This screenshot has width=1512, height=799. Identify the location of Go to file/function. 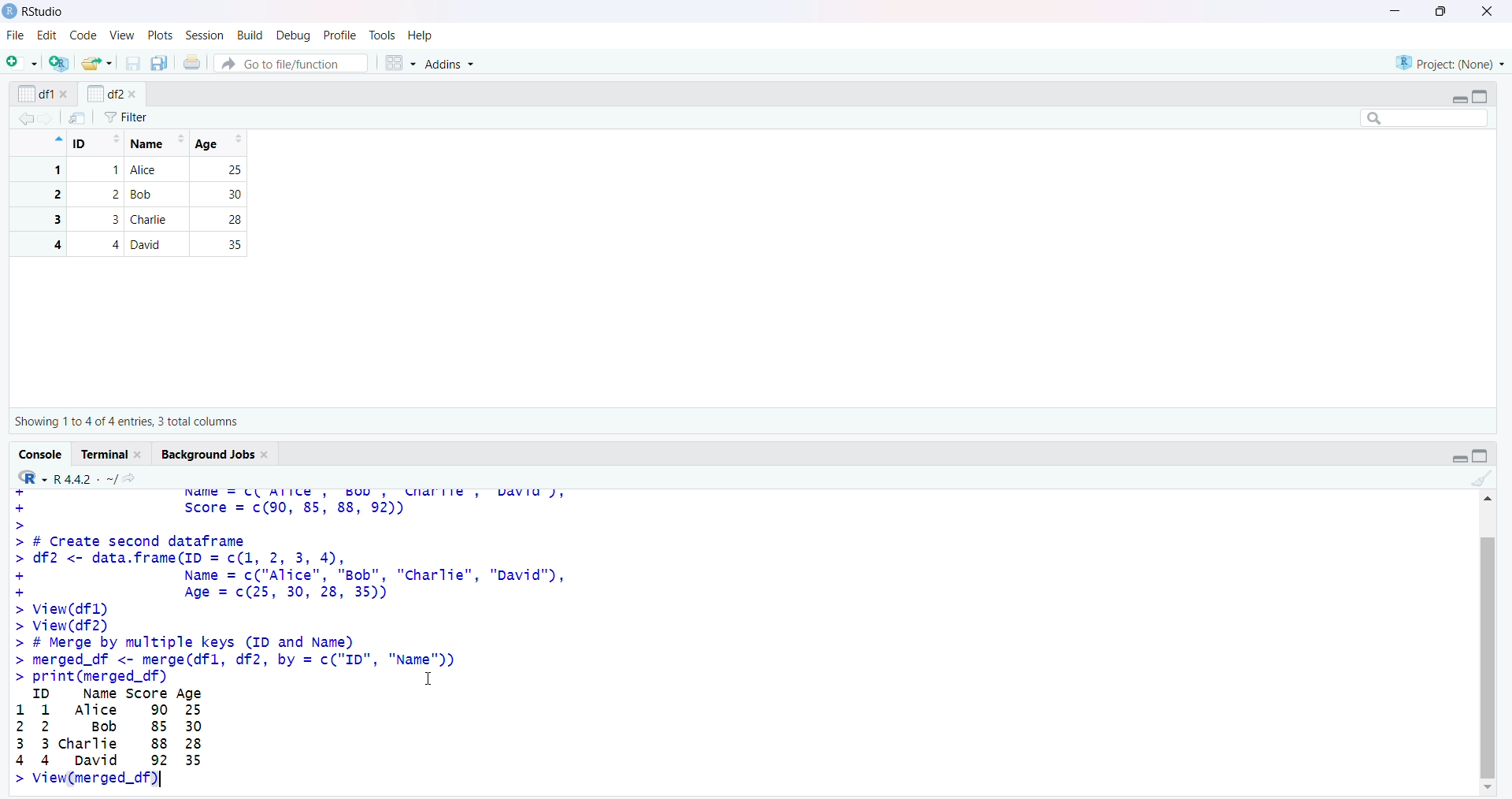
(291, 63).